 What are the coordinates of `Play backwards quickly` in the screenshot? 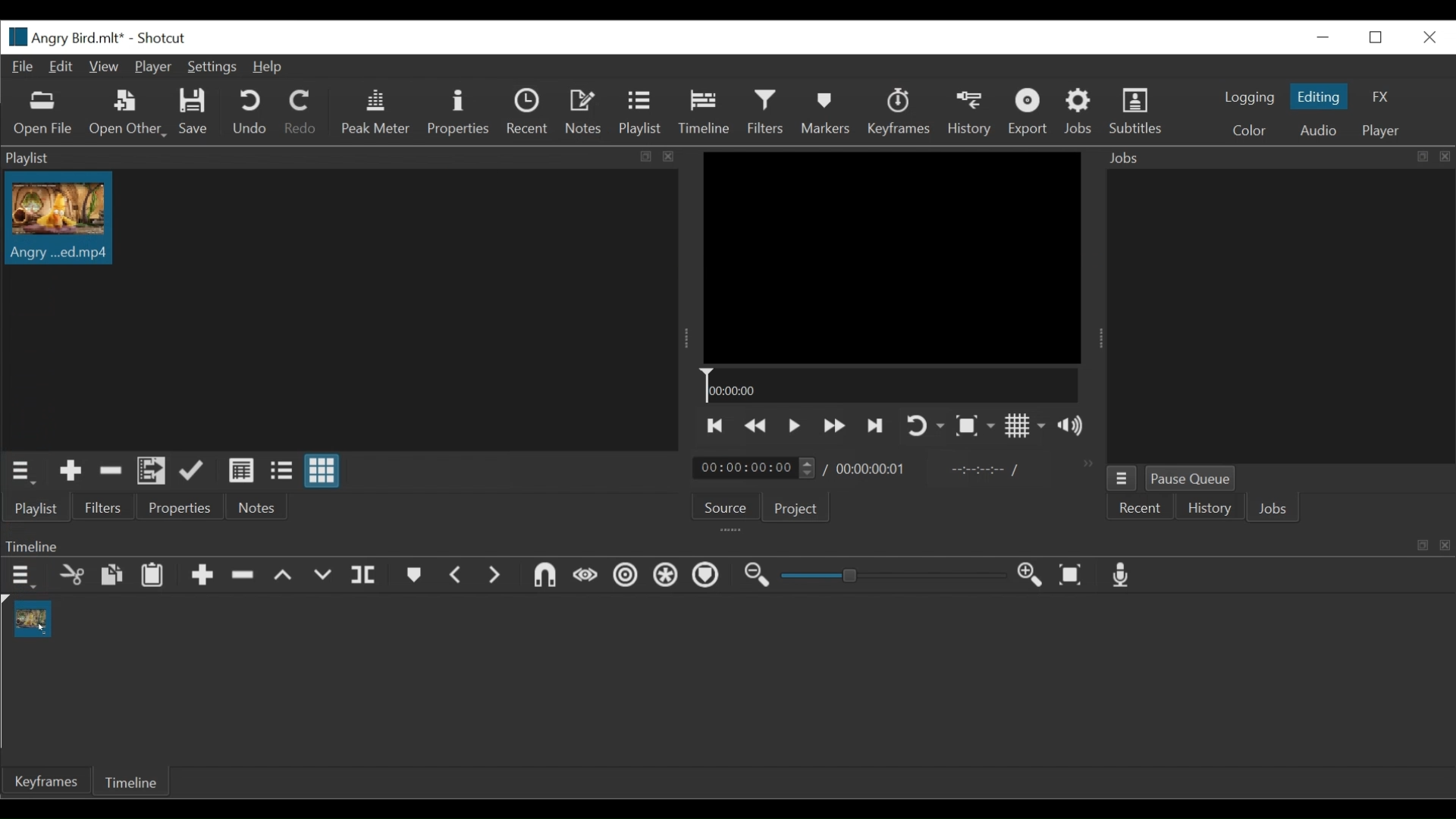 It's located at (757, 426).